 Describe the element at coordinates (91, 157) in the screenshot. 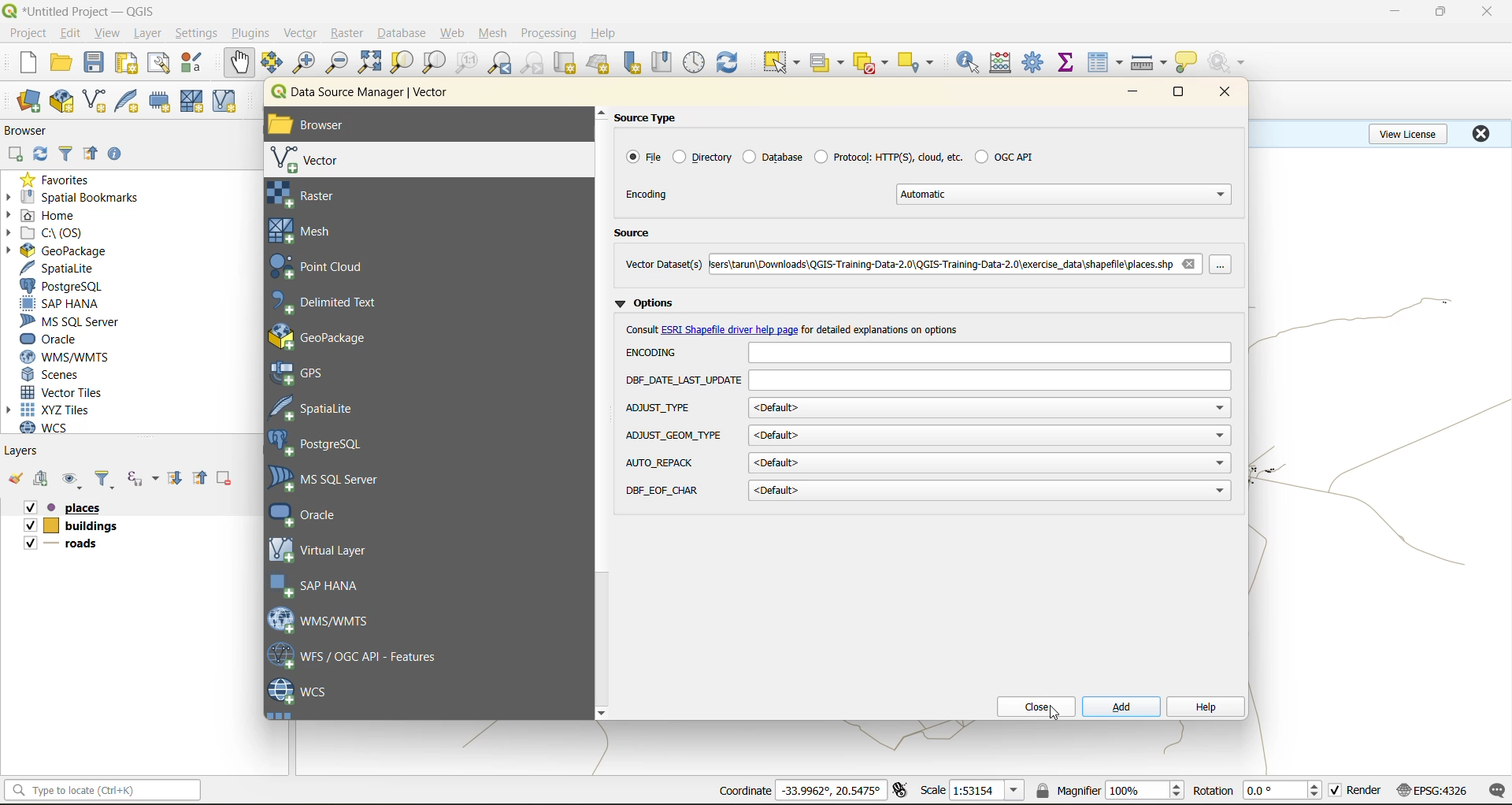

I see `collapse all` at that location.